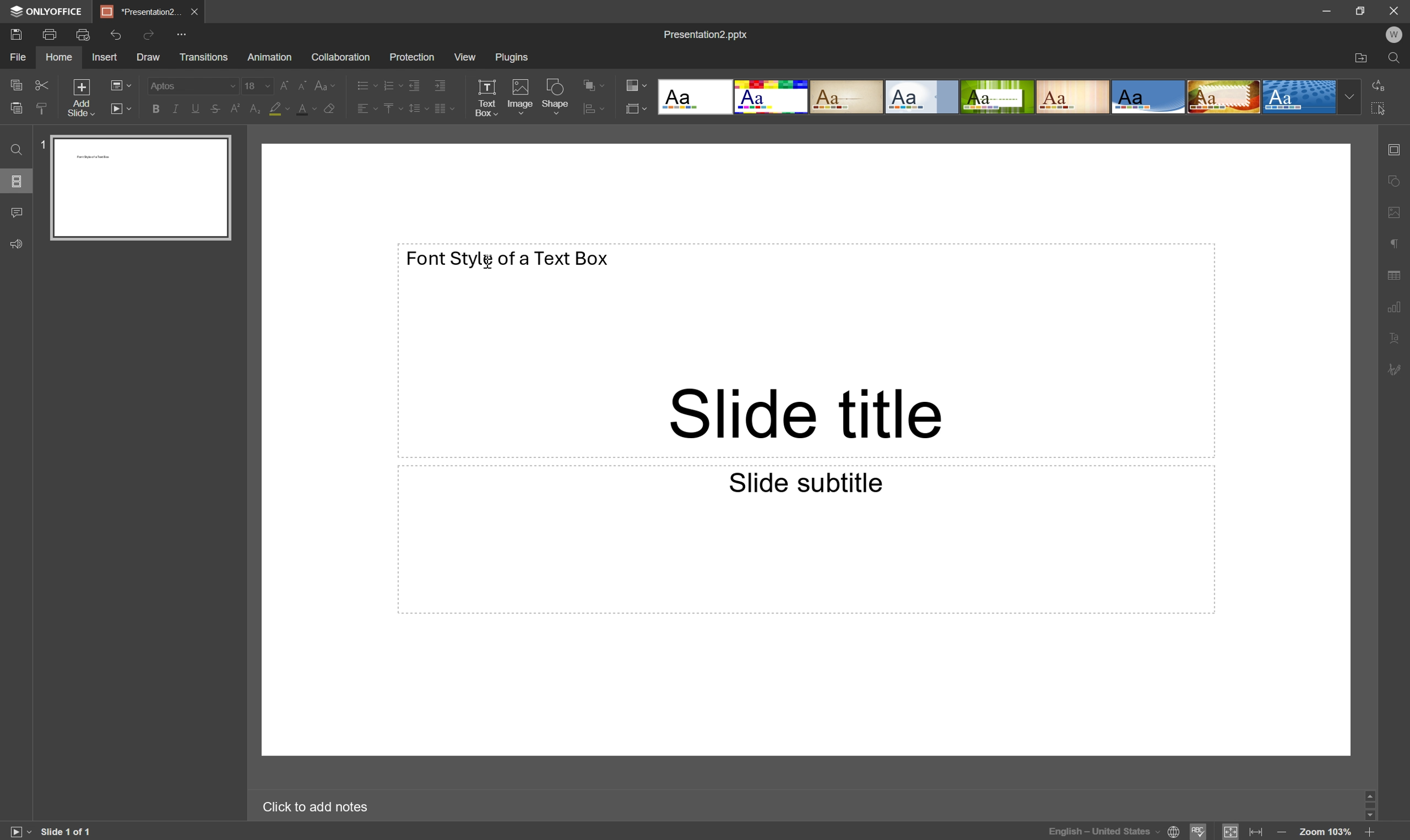  I want to click on Paragraph settings, so click(1396, 244).